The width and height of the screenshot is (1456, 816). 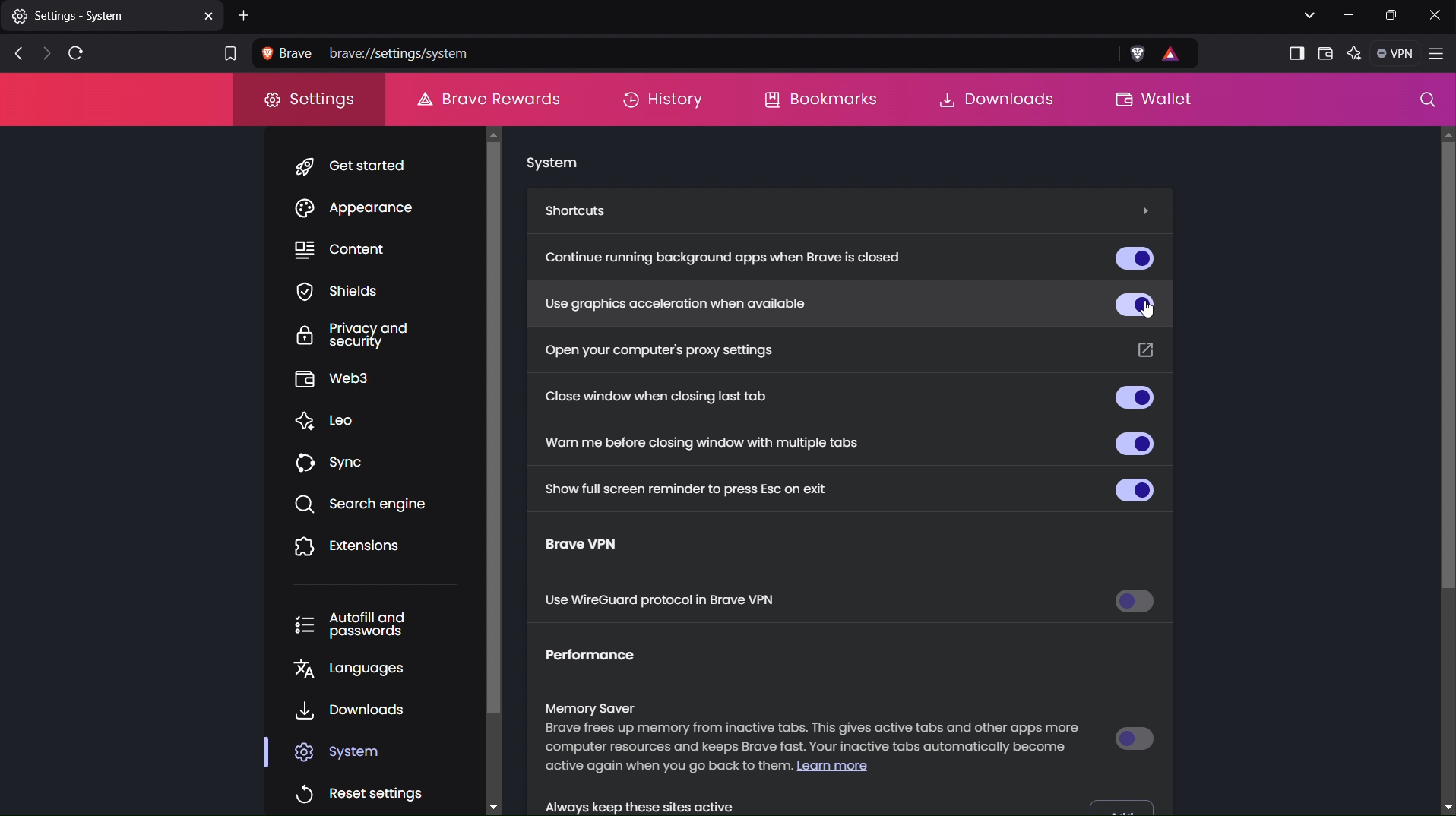 I want to click on Memory Saver, so click(x=815, y=742).